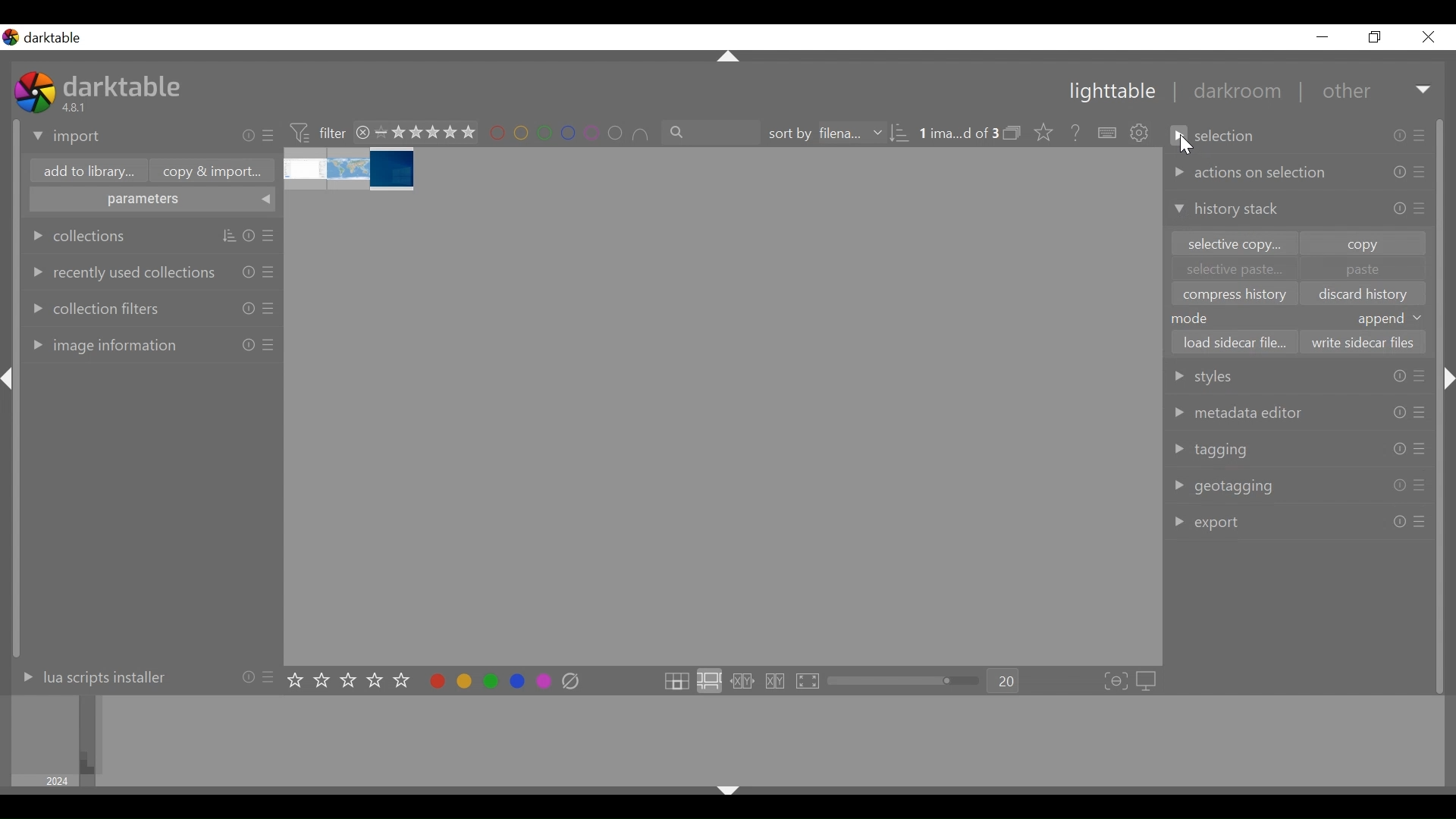  I want to click on Collapse , so click(727, 793).